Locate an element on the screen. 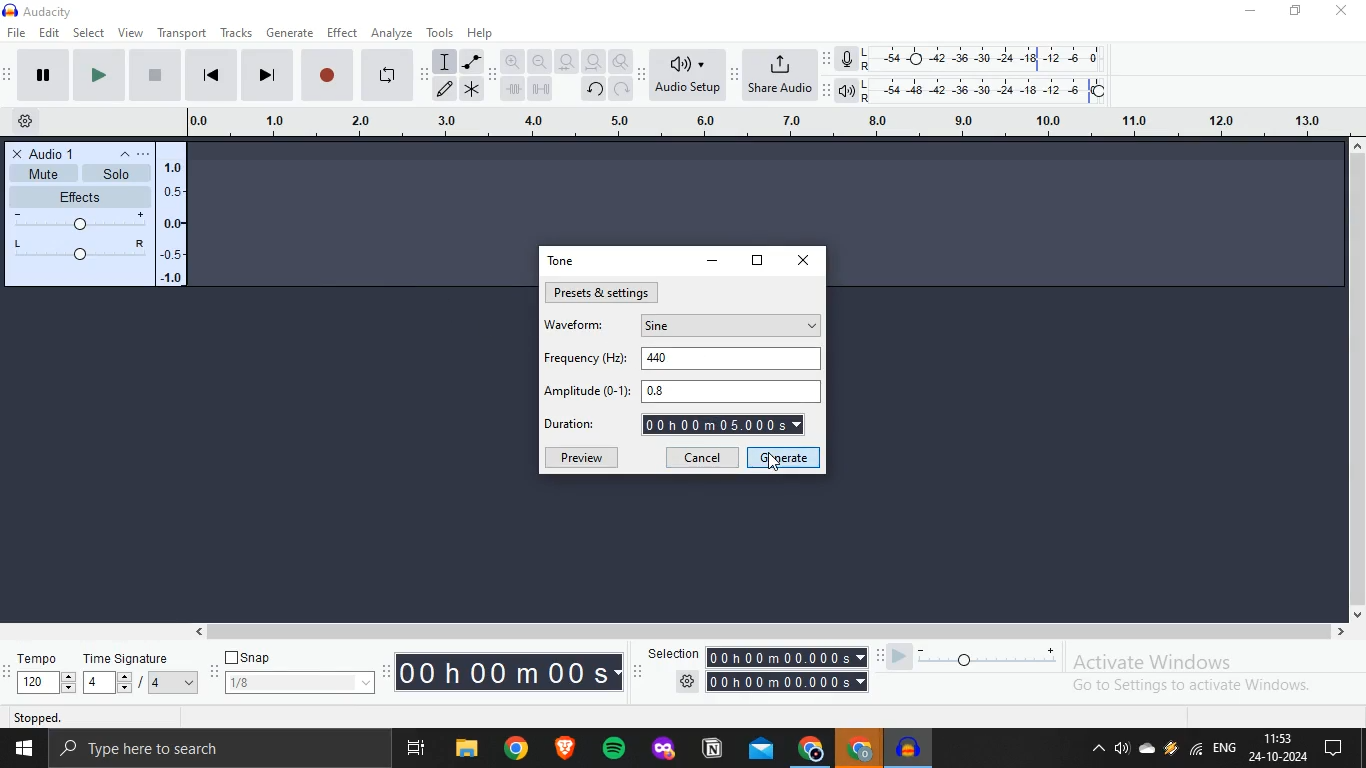 This screenshot has width=1366, height=768. Time Signature is located at coordinates (143, 673).